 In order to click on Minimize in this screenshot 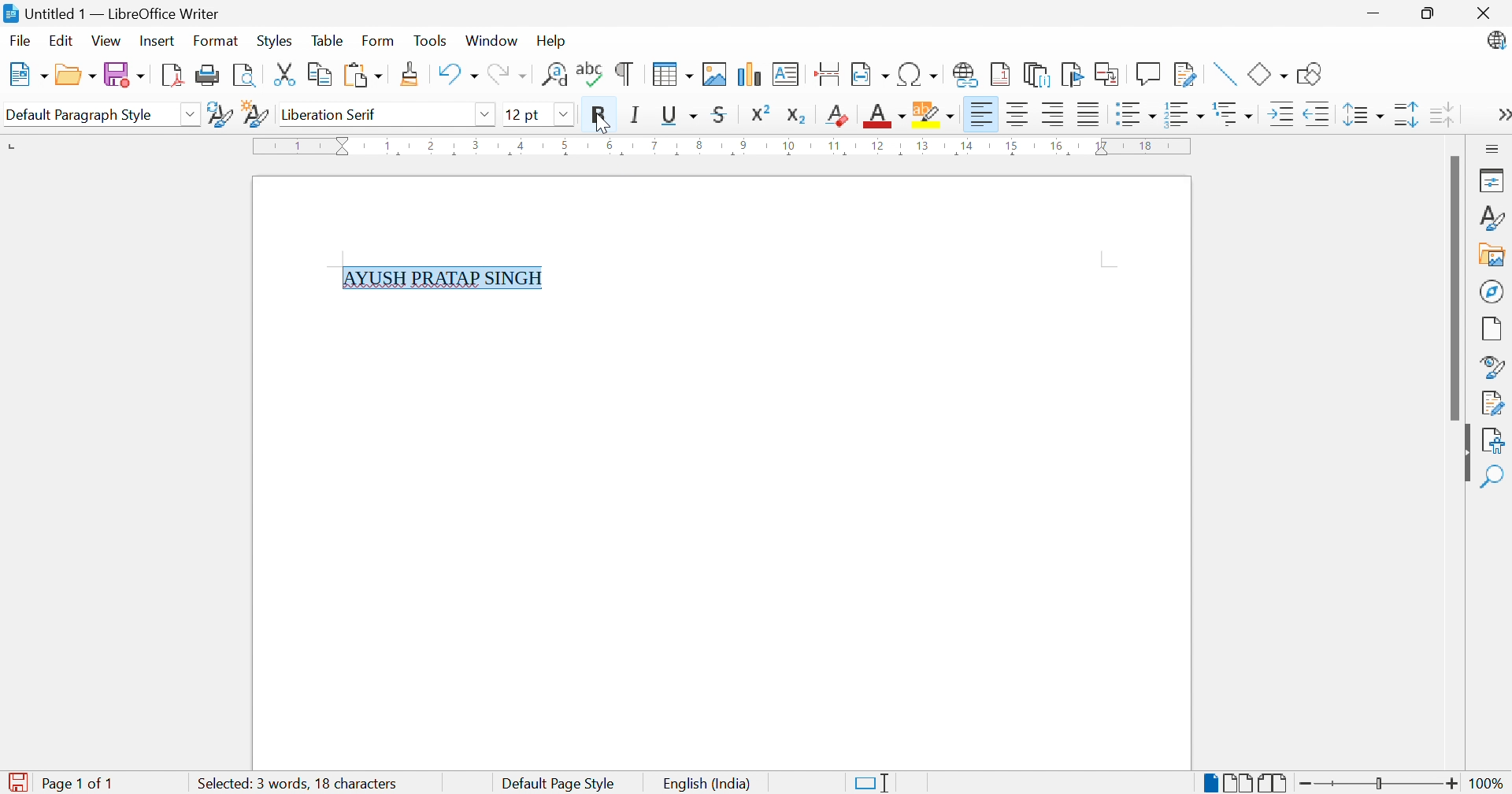, I will do `click(1372, 10)`.